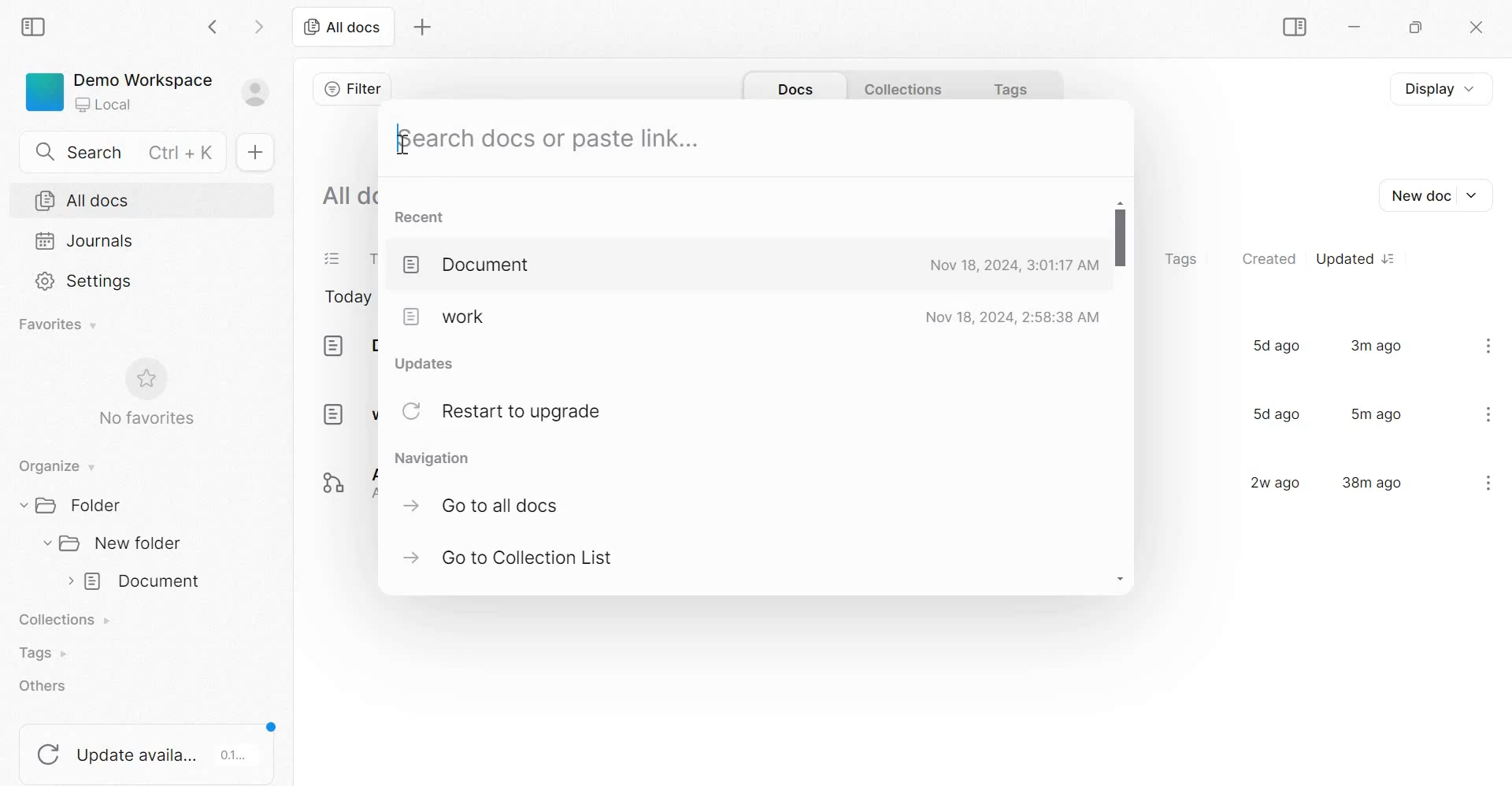  Describe the element at coordinates (85, 240) in the screenshot. I see `Journals` at that location.